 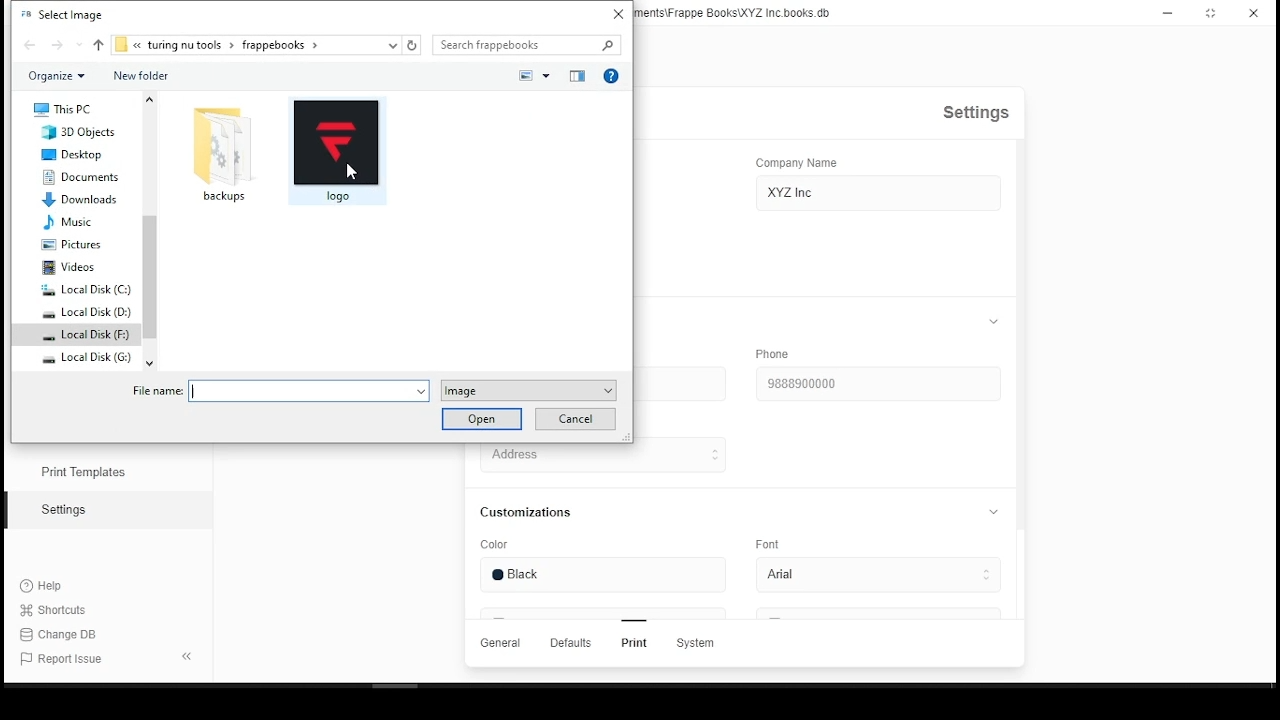 What do you see at coordinates (61, 13) in the screenshot?
I see `select image` at bounding box center [61, 13].